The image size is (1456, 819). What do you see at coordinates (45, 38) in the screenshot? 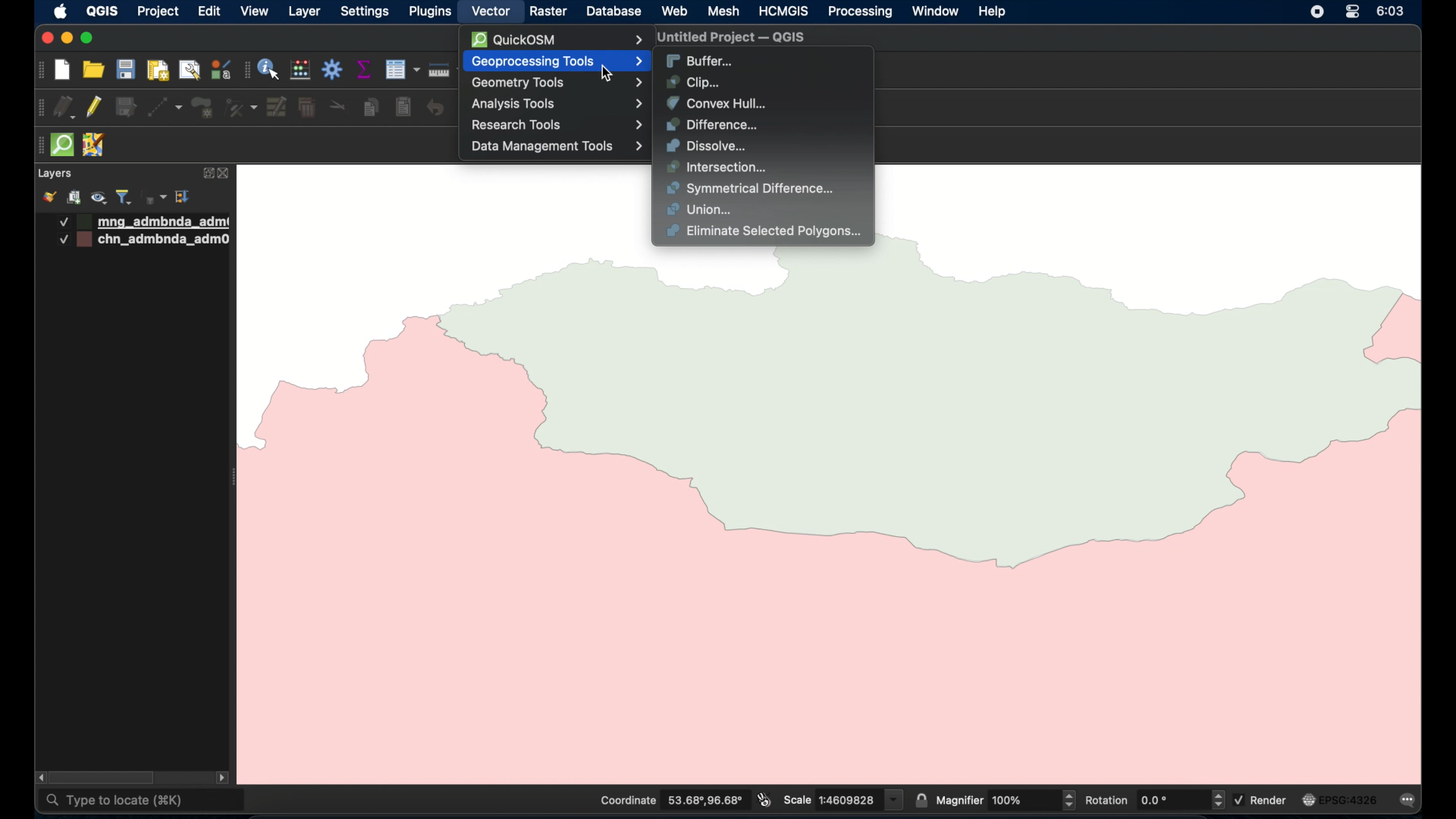
I see `close` at bounding box center [45, 38].